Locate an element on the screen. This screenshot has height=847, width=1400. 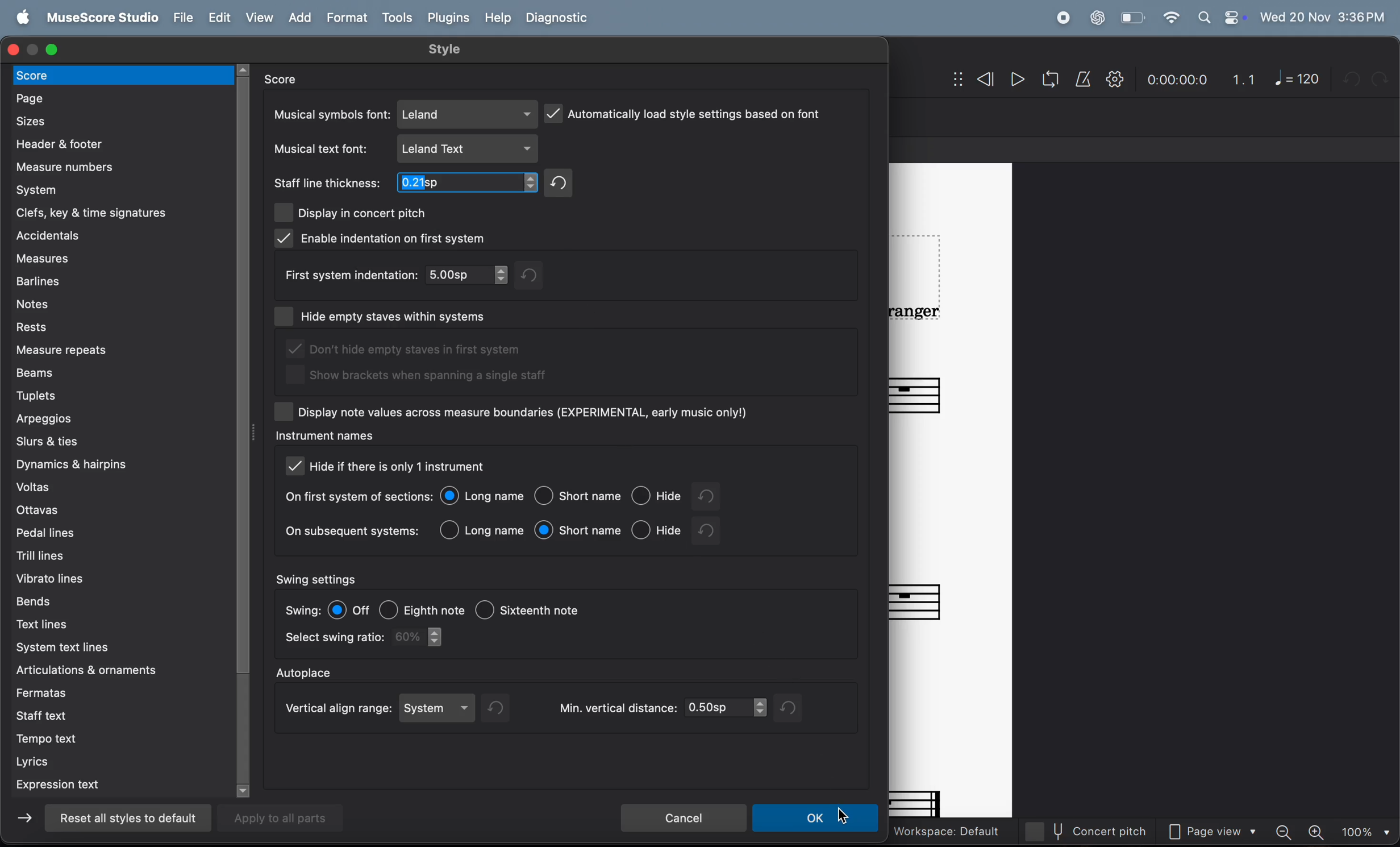
arpegios is located at coordinates (101, 418).